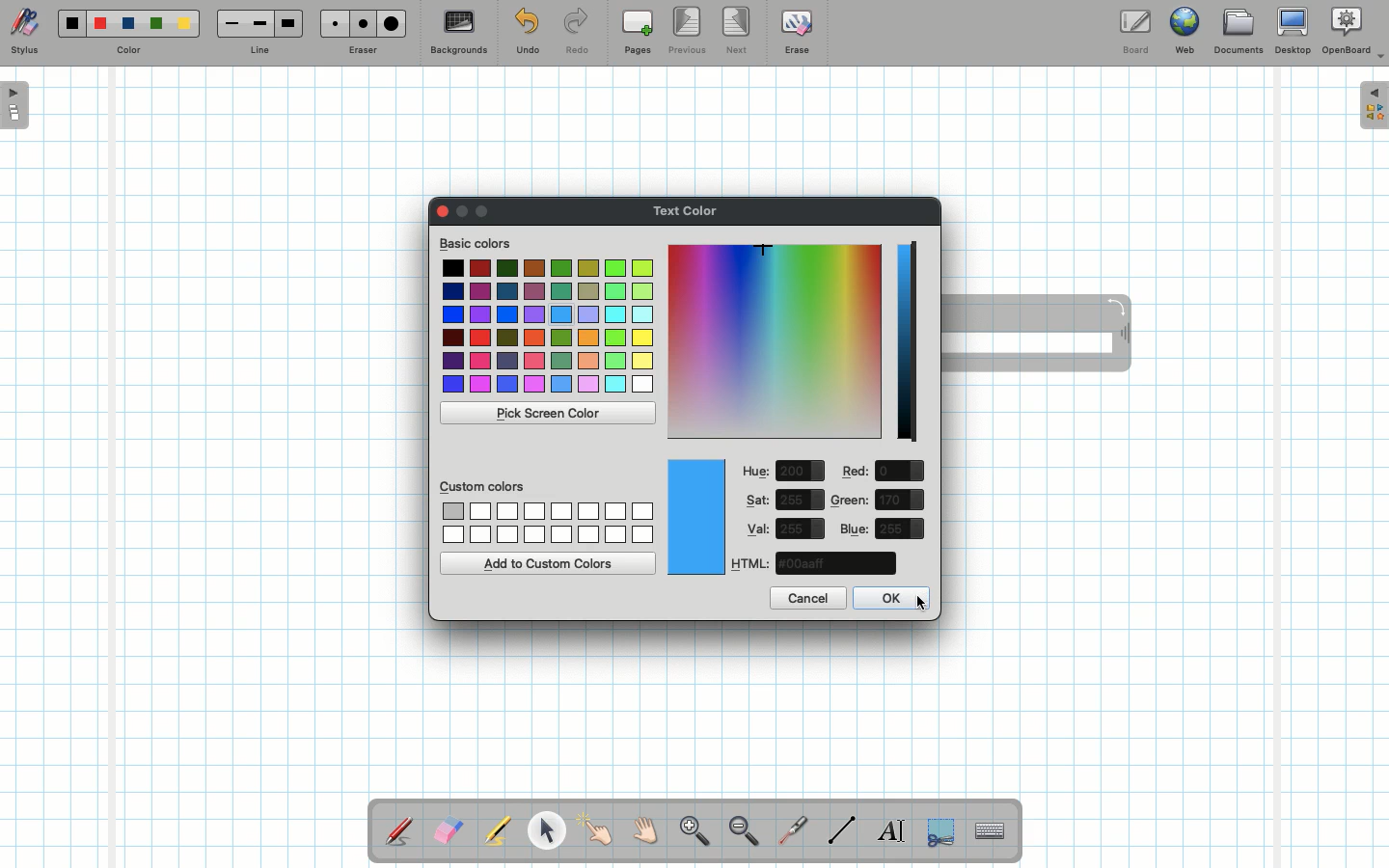 The height and width of the screenshot is (868, 1389). What do you see at coordinates (688, 207) in the screenshot?
I see `Text color` at bounding box center [688, 207].